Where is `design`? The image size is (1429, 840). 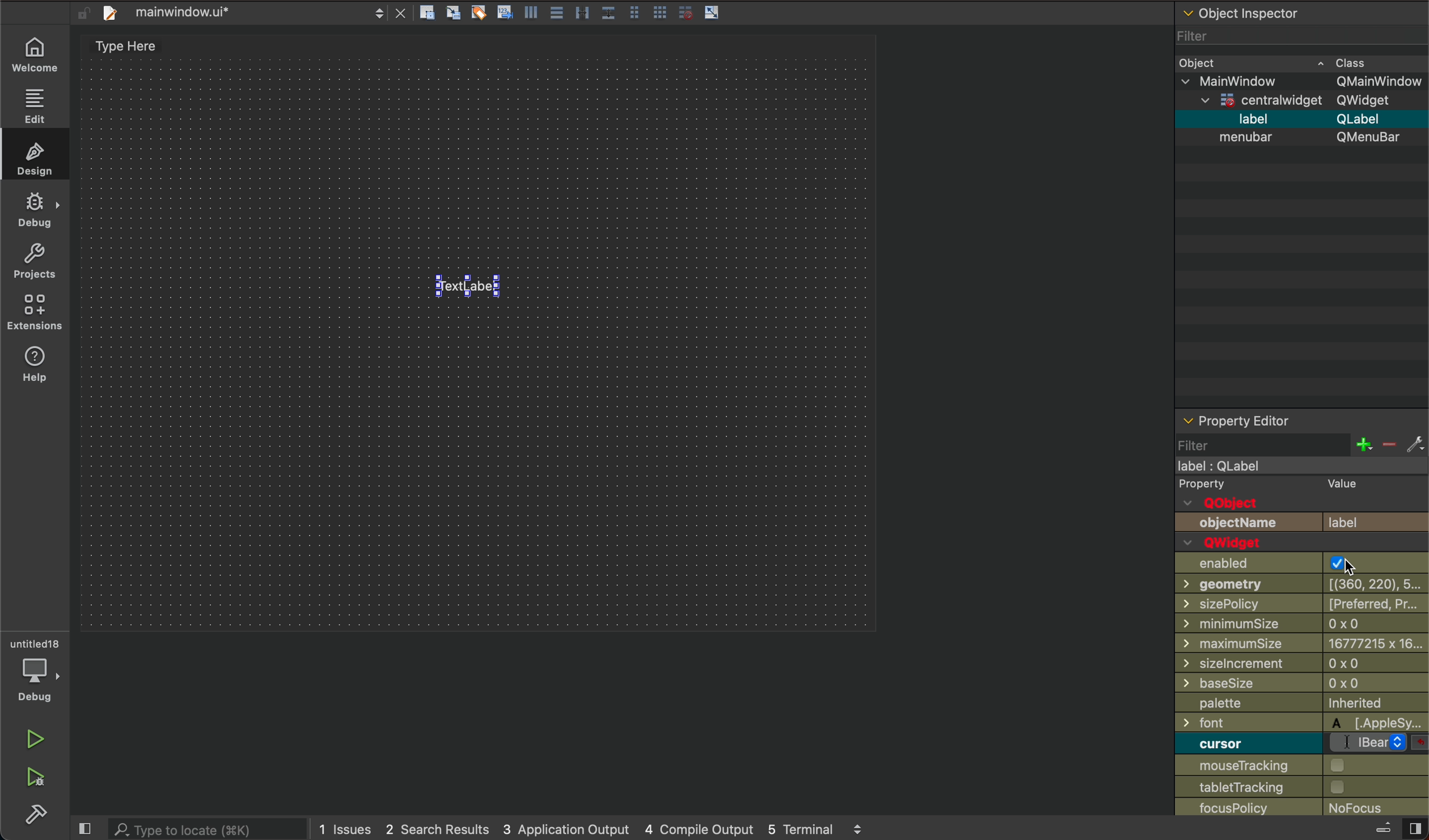
design is located at coordinates (37, 159).